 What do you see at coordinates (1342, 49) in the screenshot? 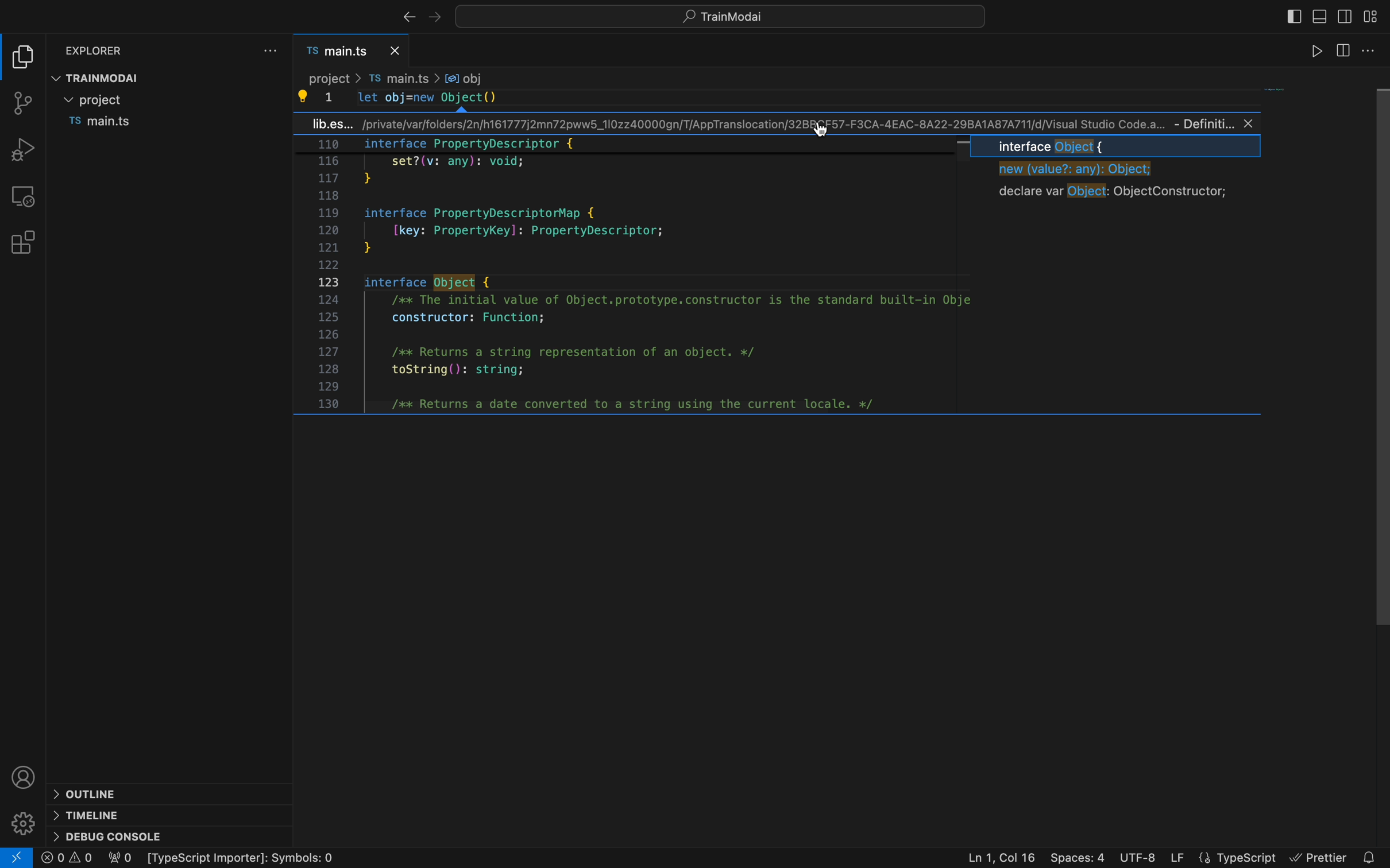
I see `srtting` at bounding box center [1342, 49].